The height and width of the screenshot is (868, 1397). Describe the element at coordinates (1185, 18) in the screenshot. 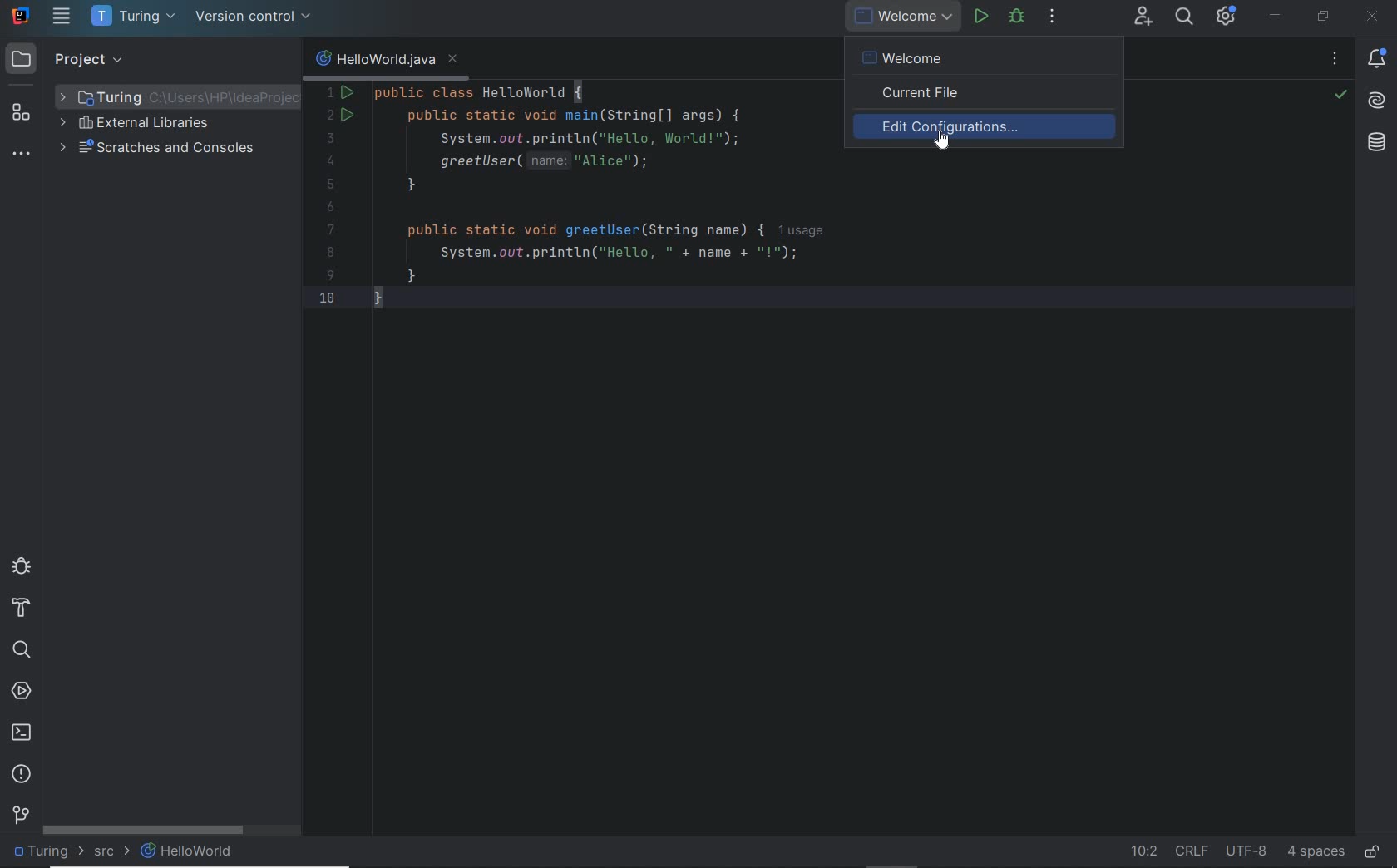

I see `search everywhere` at that location.